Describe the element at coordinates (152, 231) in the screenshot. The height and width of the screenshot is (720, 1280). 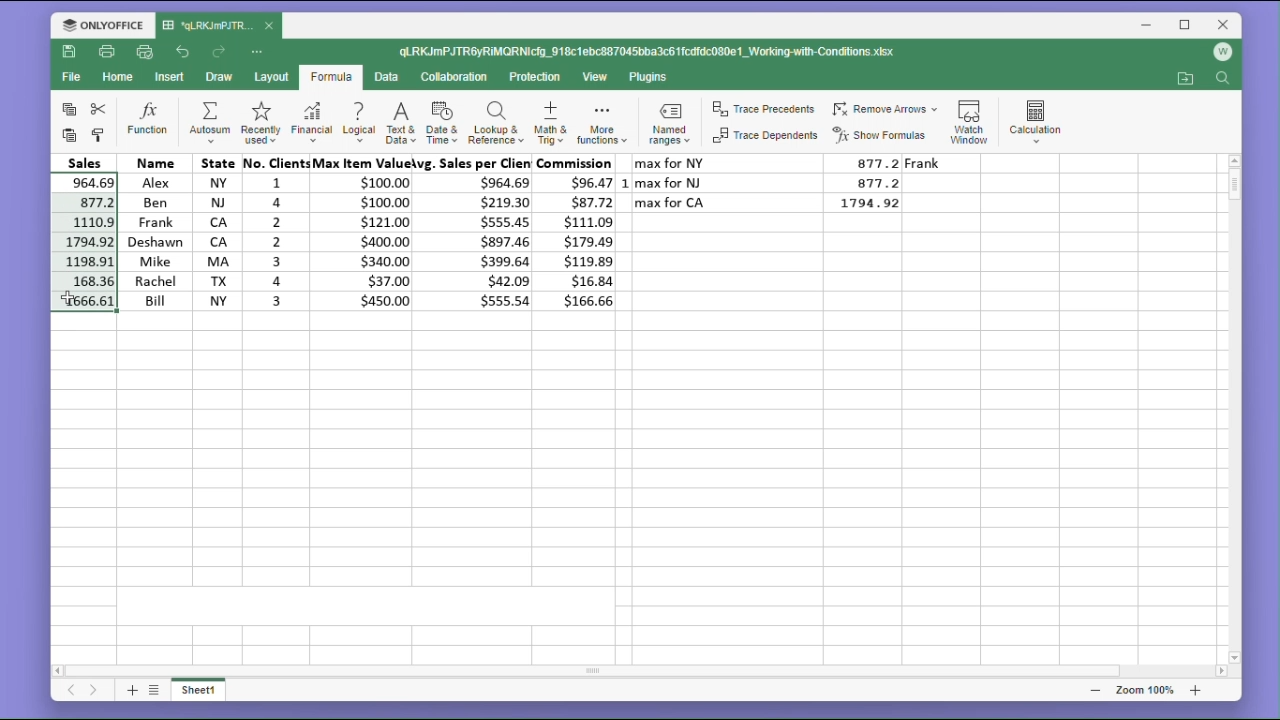
I see `names` at that location.